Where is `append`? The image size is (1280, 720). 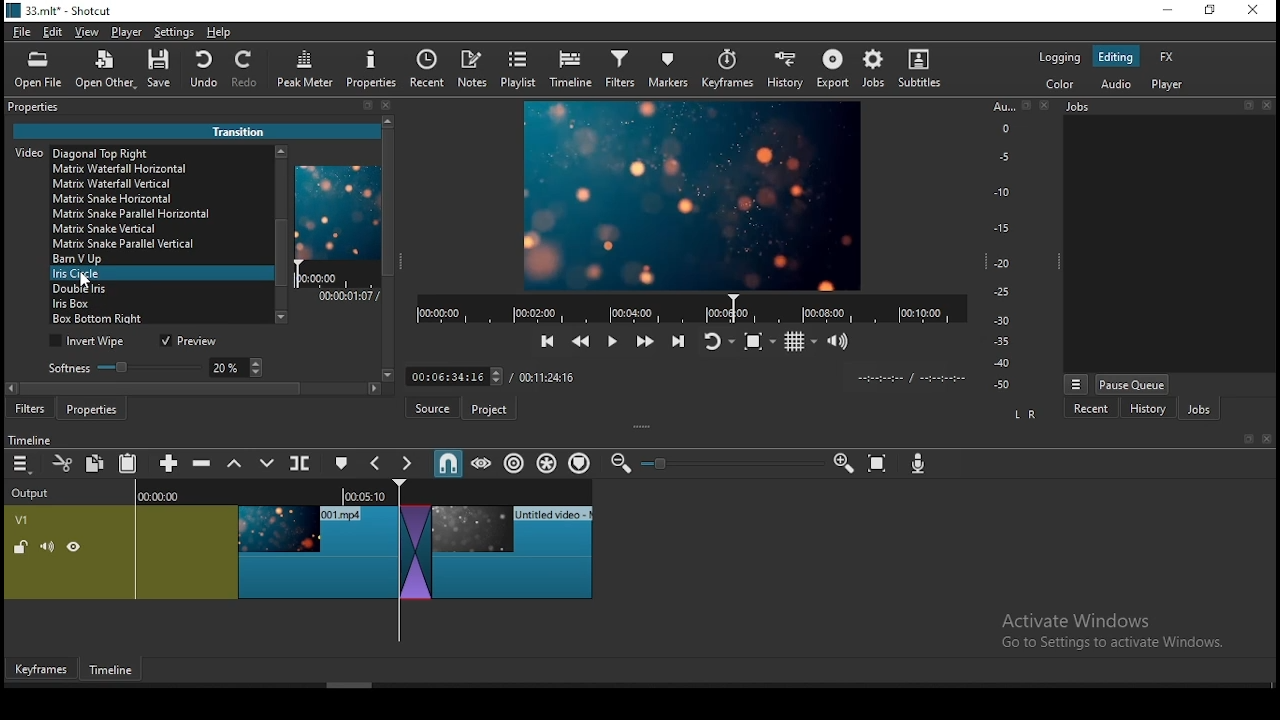 append is located at coordinates (170, 464).